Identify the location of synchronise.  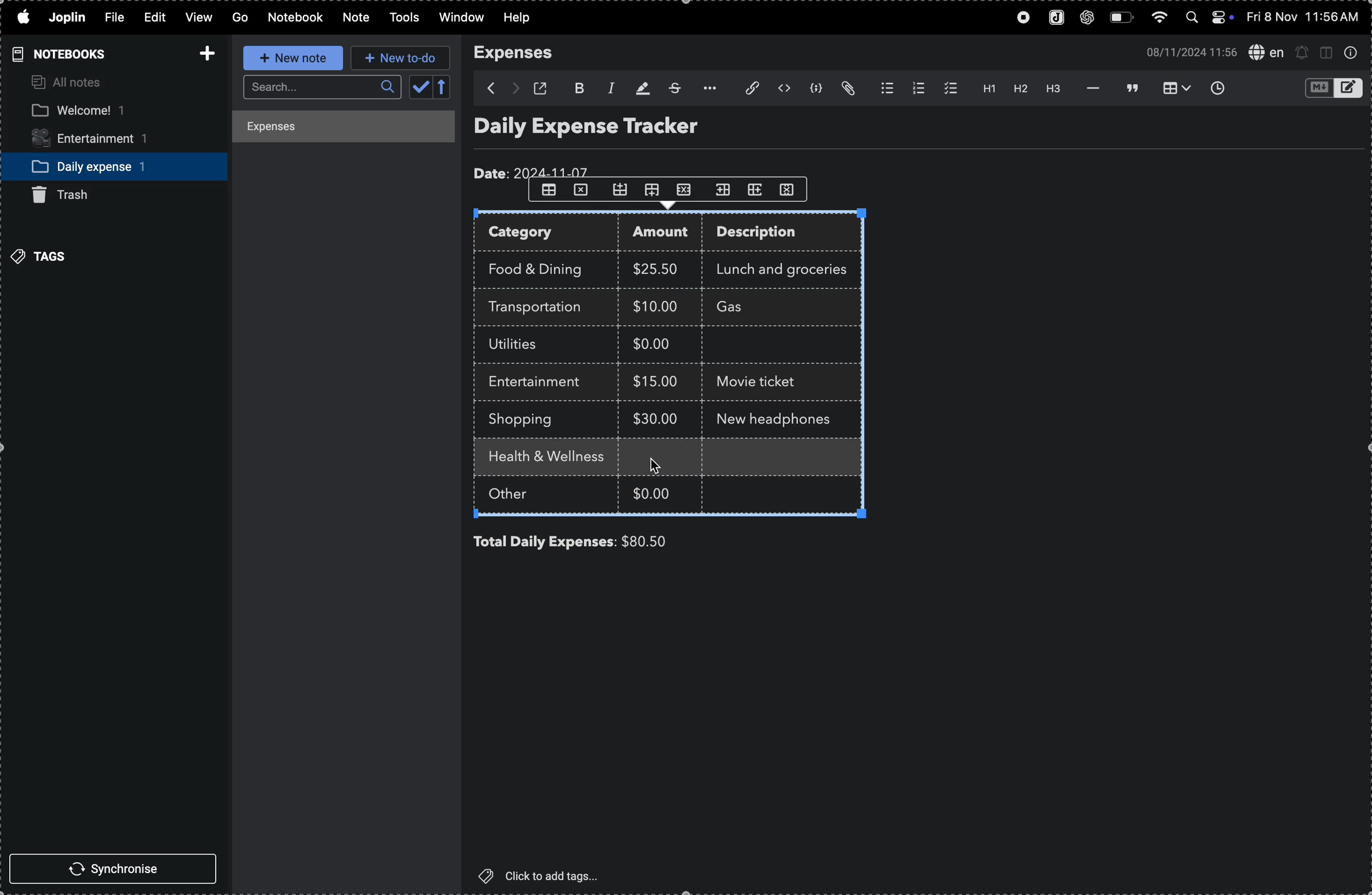
(118, 870).